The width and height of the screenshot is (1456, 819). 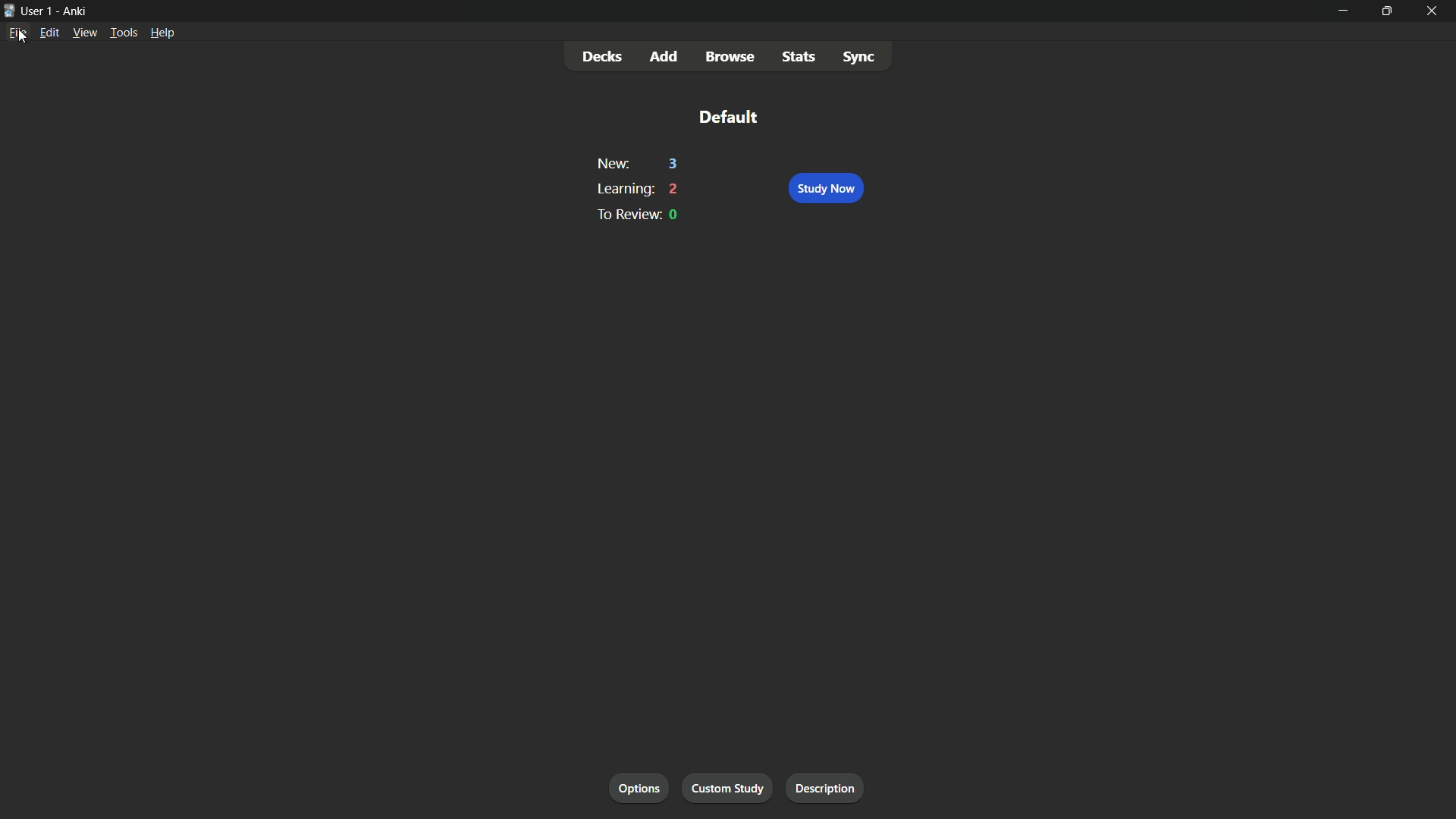 I want to click on file menu, so click(x=17, y=33).